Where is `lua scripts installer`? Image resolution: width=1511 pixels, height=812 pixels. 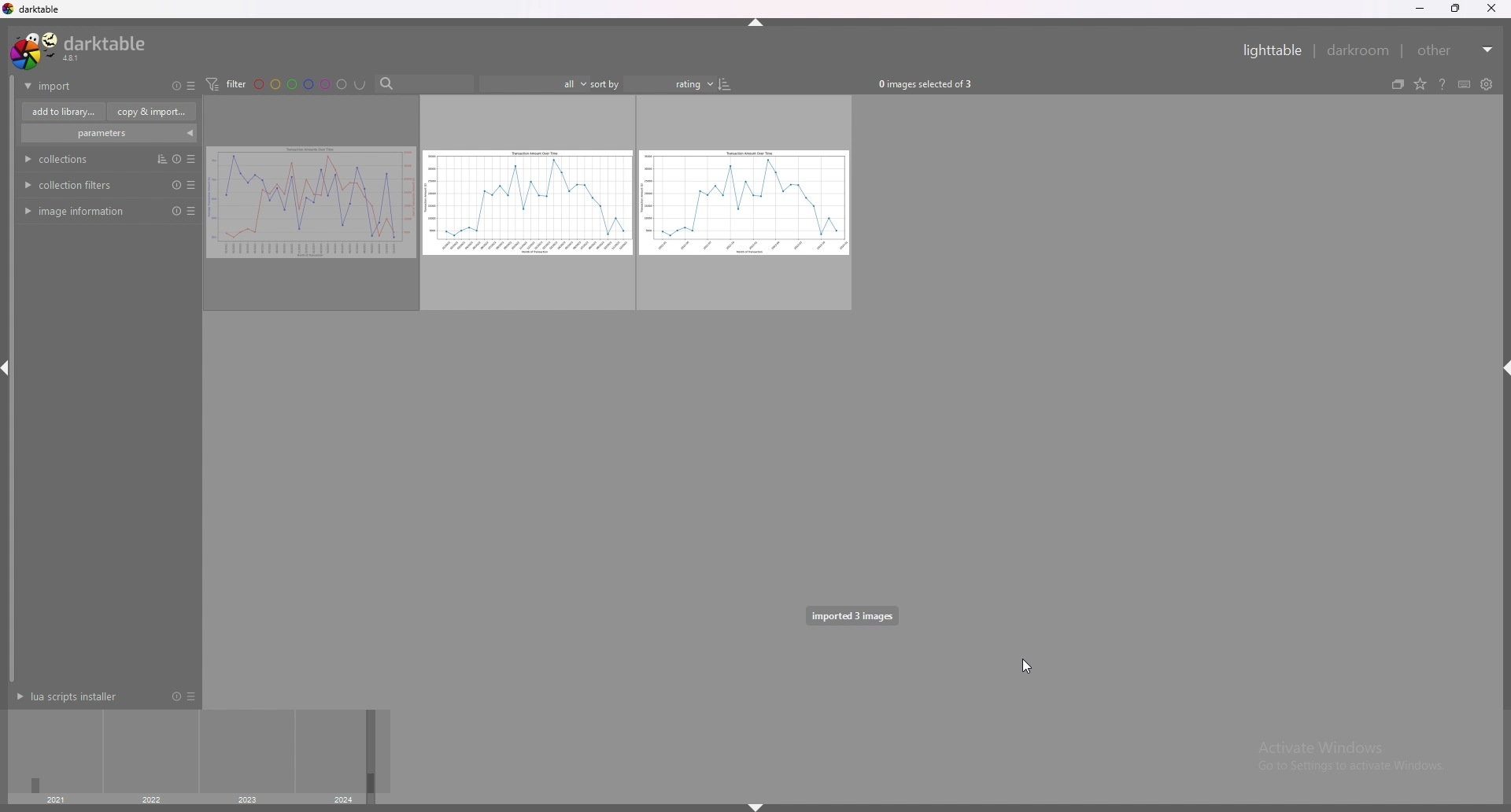 lua scripts installer is located at coordinates (73, 696).